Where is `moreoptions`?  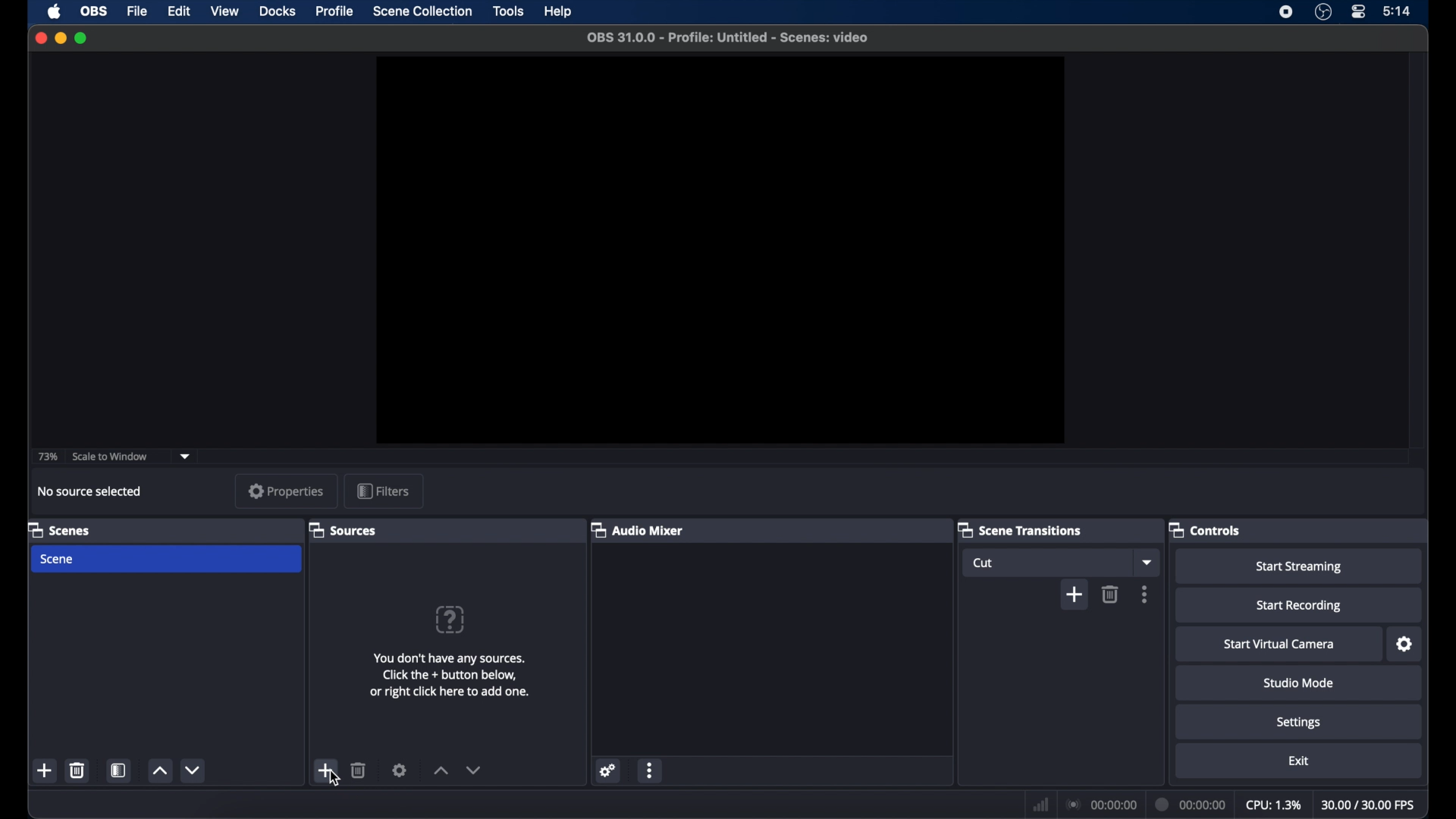 moreoptions is located at coordinates (1145, 594).